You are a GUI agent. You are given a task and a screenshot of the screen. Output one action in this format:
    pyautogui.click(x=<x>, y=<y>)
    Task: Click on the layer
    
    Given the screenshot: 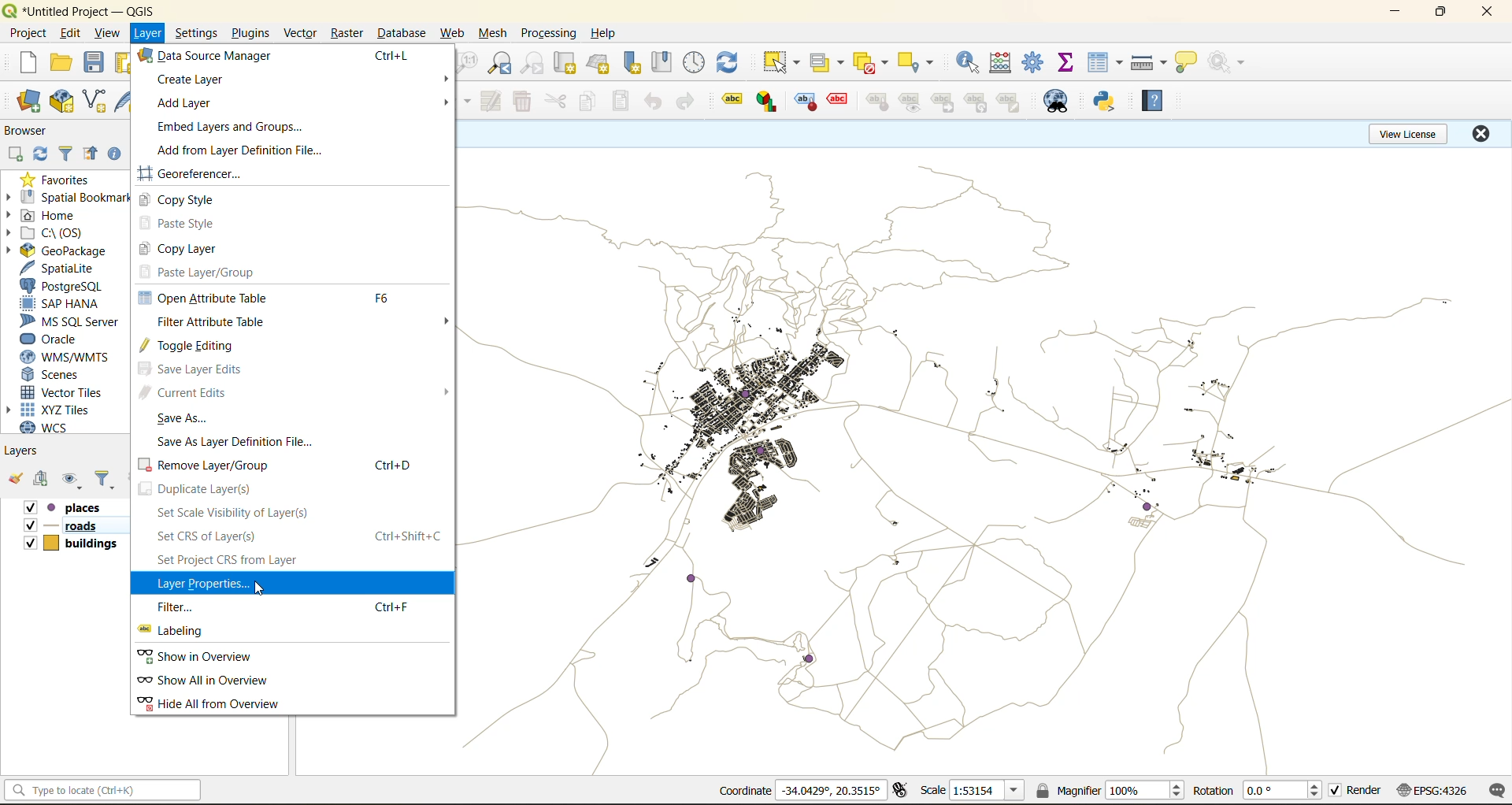 What is the action you would take?
    pyautogui.click(x=149, y=35)
    